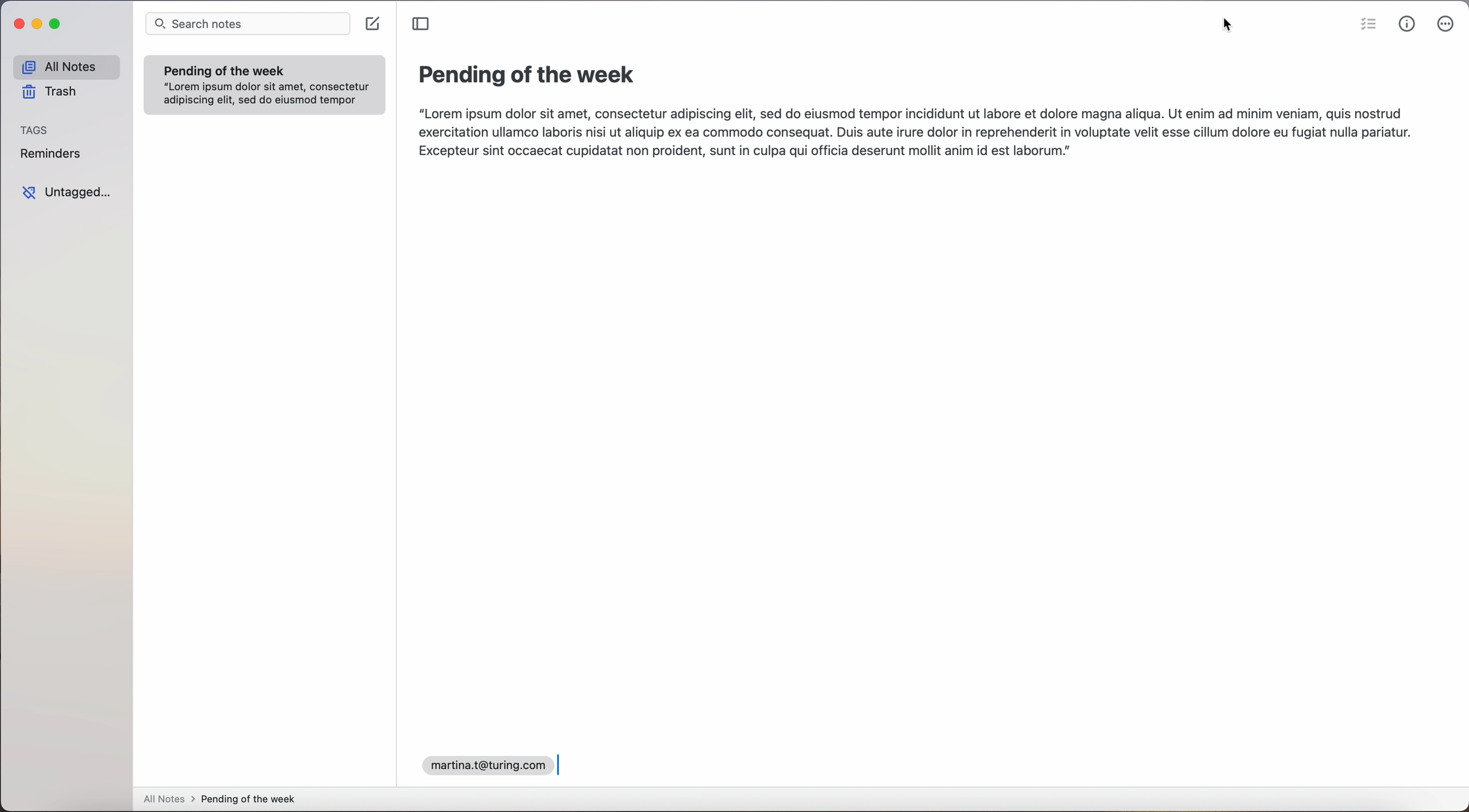  I want to click on tags, so click(34, 129).